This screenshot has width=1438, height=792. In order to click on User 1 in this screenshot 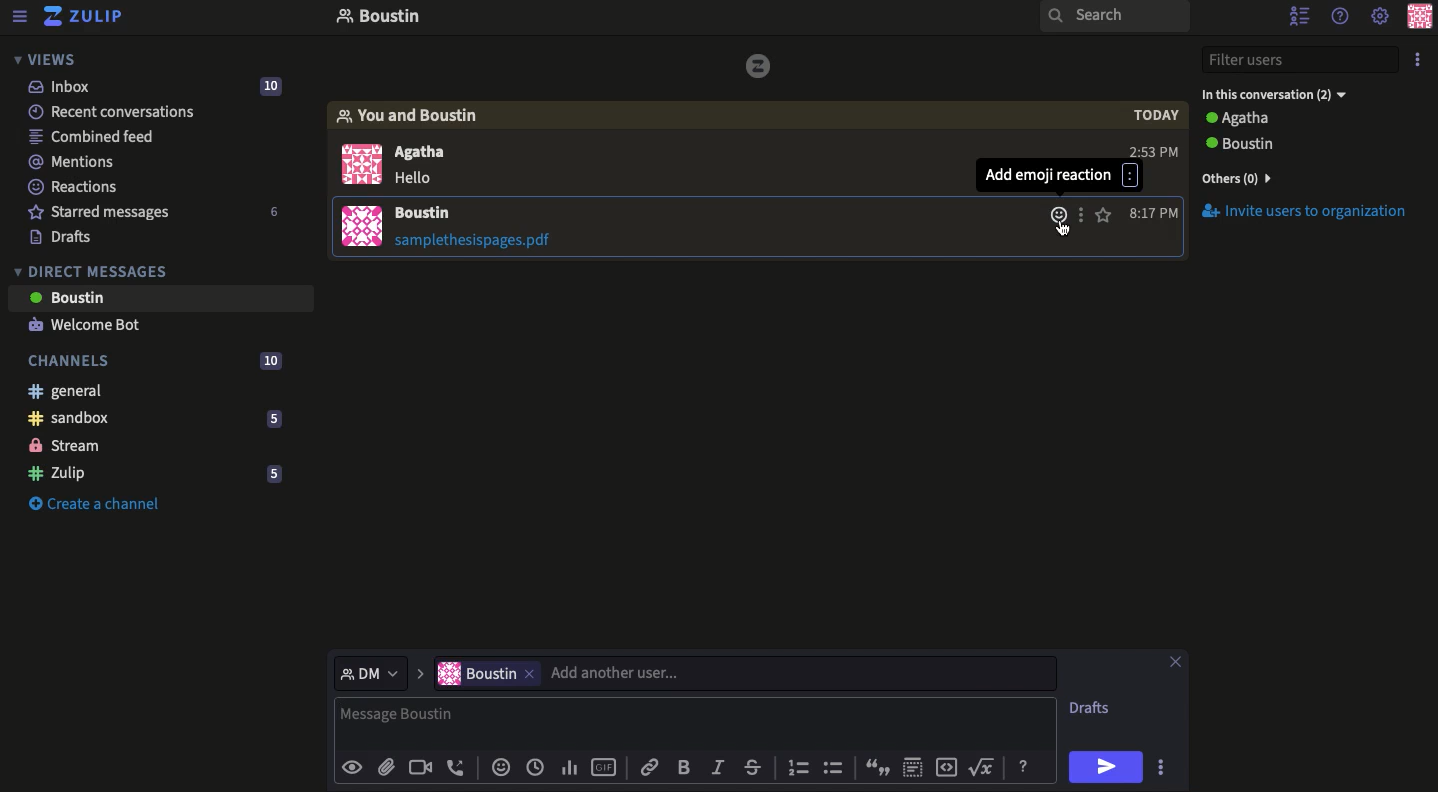, I will do `click(1241, 119)`.